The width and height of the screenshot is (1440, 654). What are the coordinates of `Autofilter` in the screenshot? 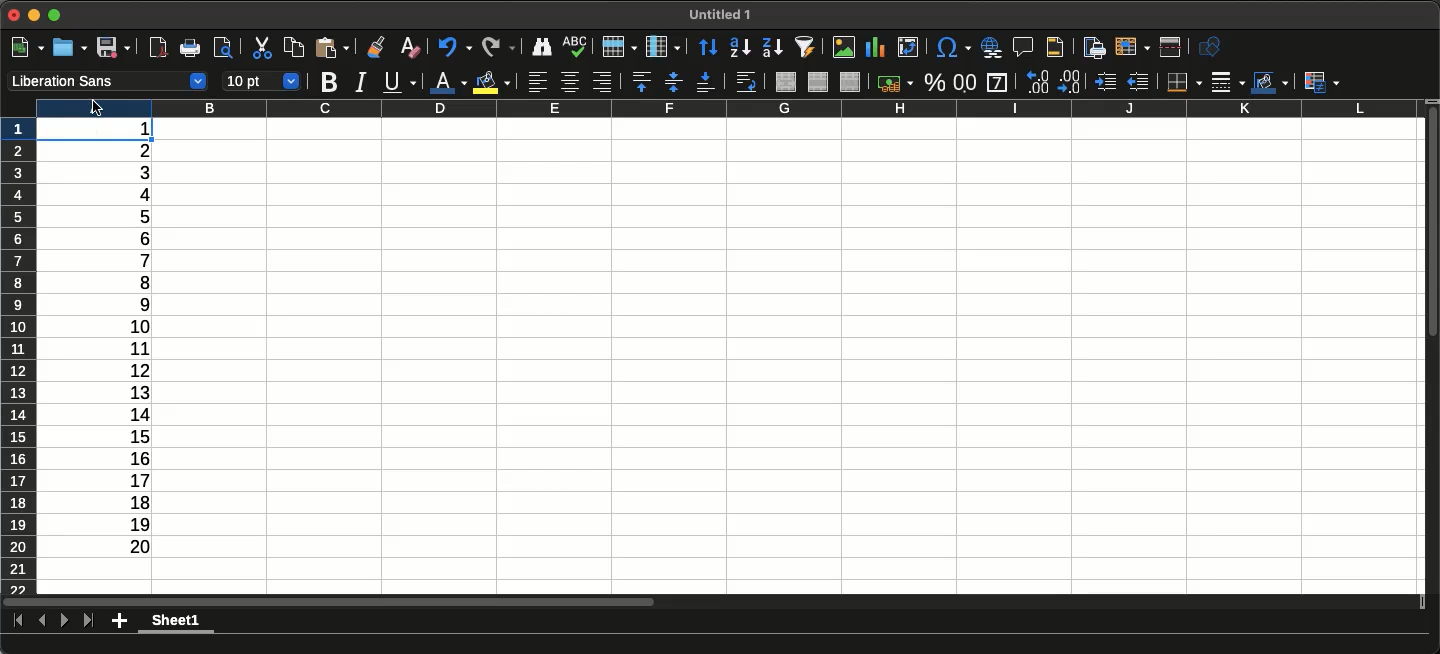 It's located at (803, 47).